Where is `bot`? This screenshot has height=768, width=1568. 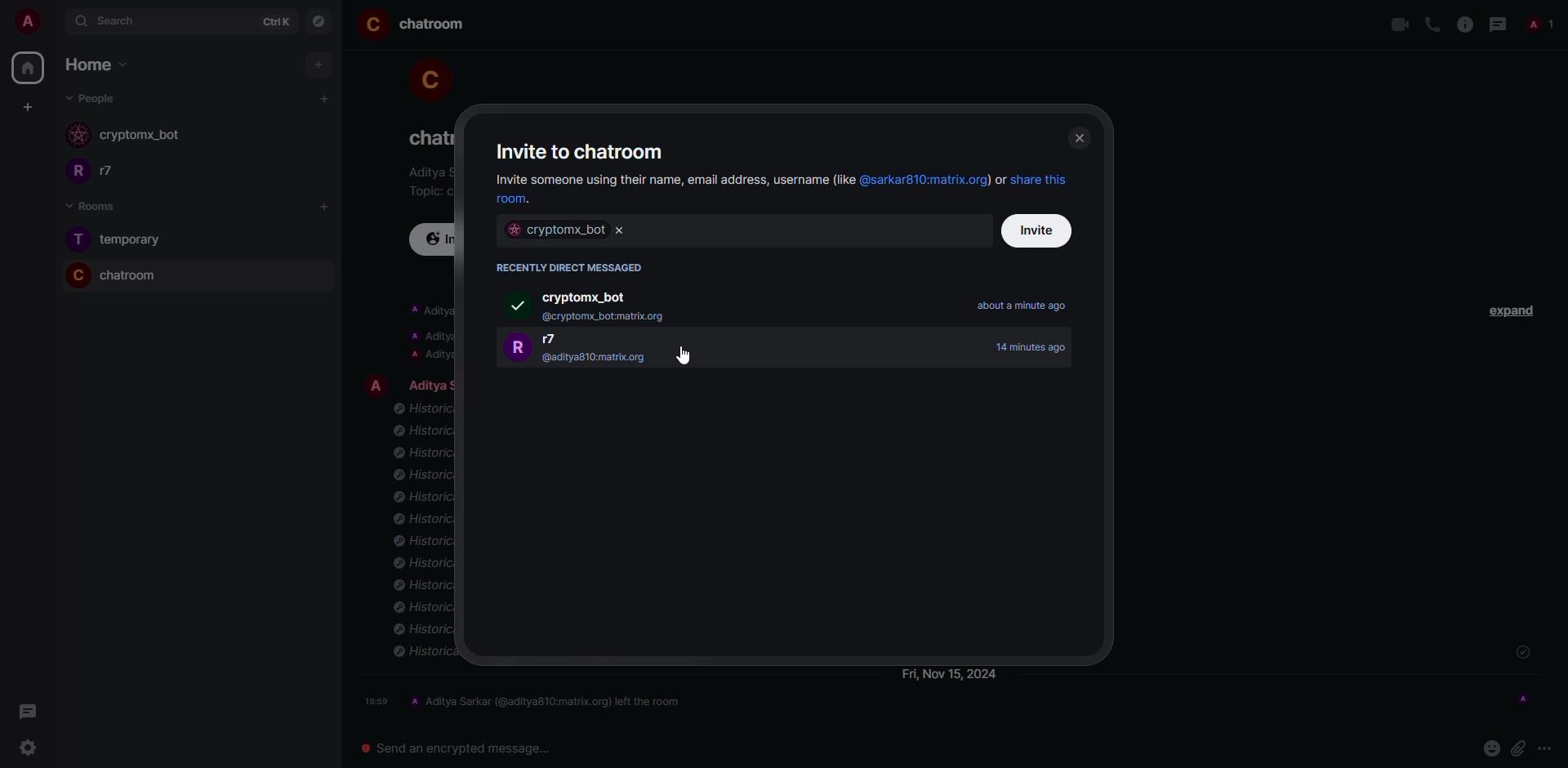 bot is located at coordinates (556, 230).